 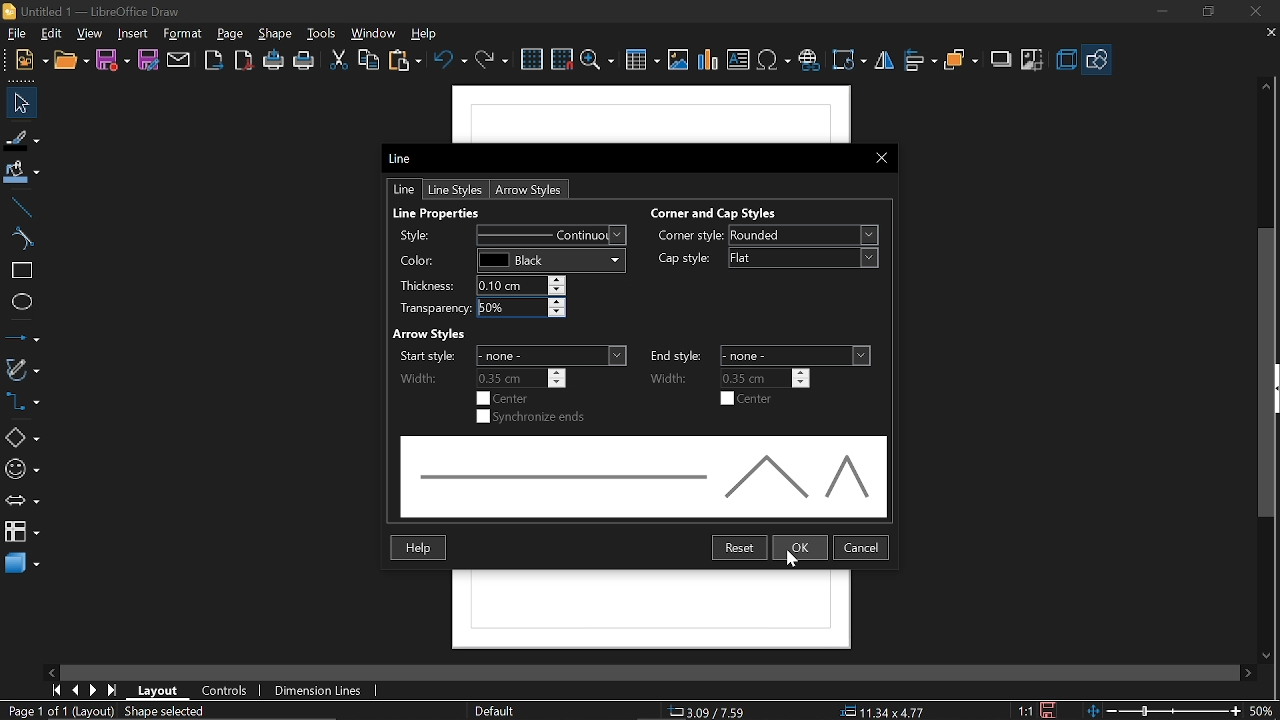 What do you see at coordinates (22, 140) in the screenshot?
I see `fill line` at bounding box center [22, 140].